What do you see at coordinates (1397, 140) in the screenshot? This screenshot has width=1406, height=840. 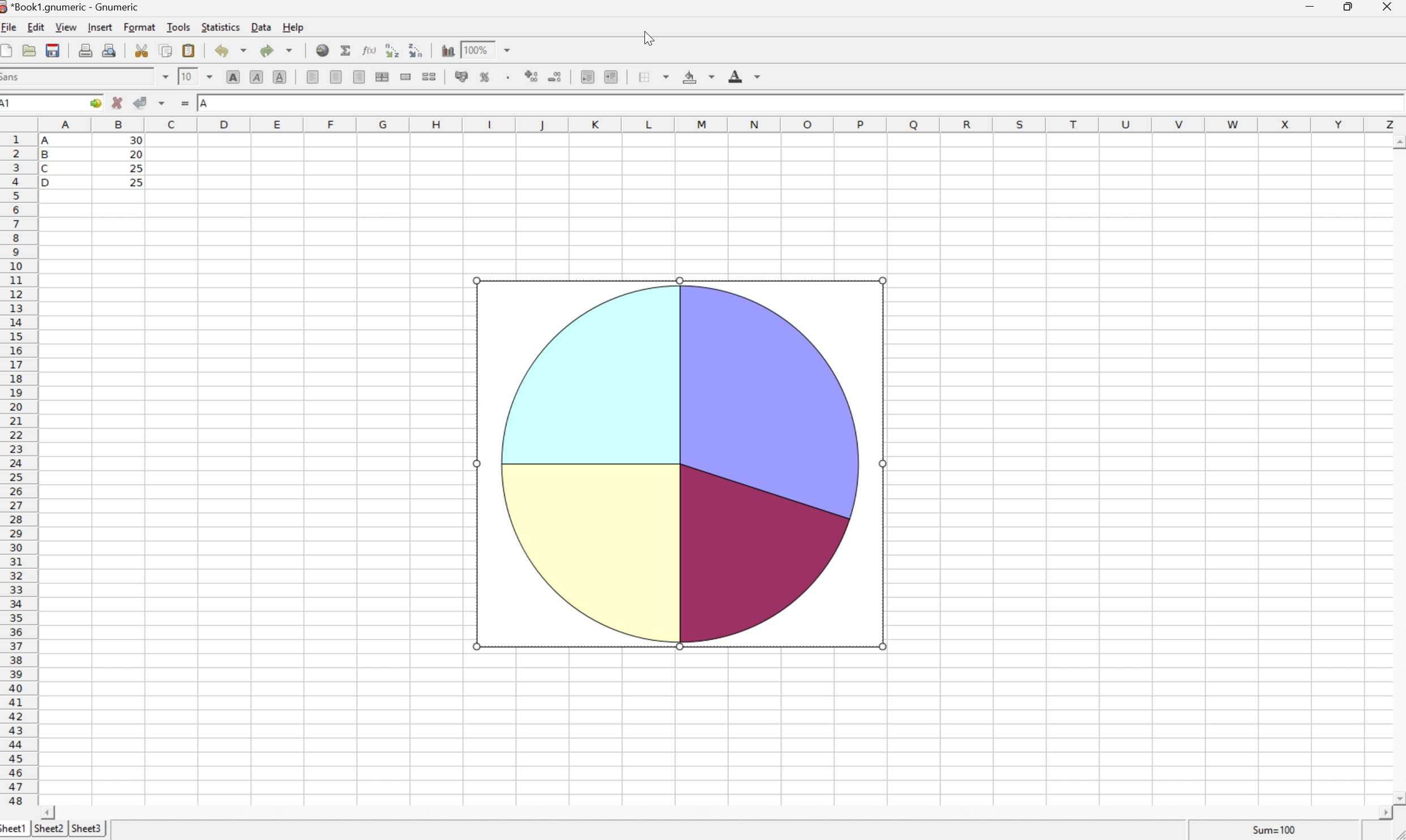 I see `Scroll Up` at bounding box center [1397, 140].